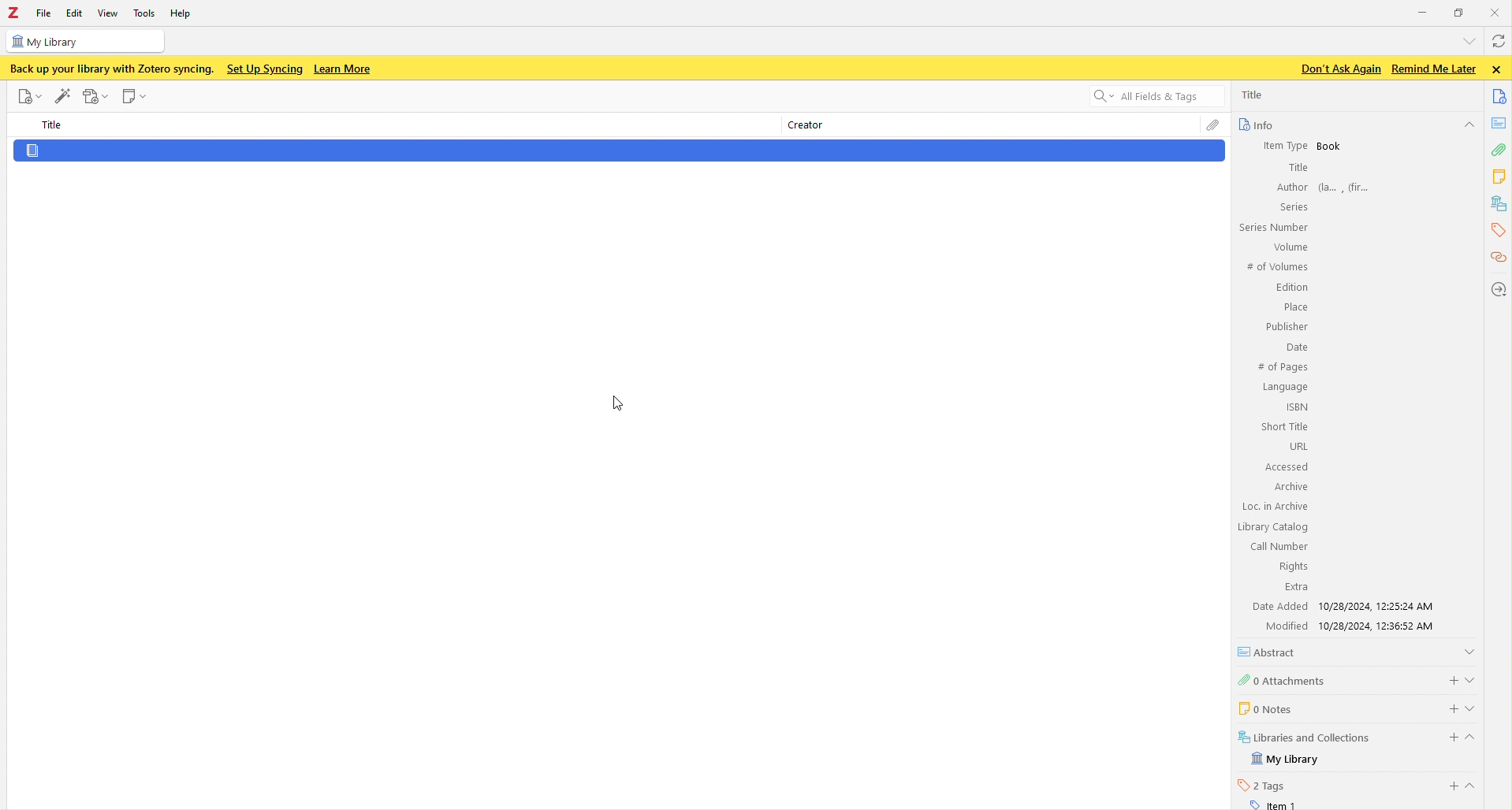 The image size is (1512, 810). Describe the element at coordinates (1433, 69) in the screenshot. I see `Remind Me Later` at that location.